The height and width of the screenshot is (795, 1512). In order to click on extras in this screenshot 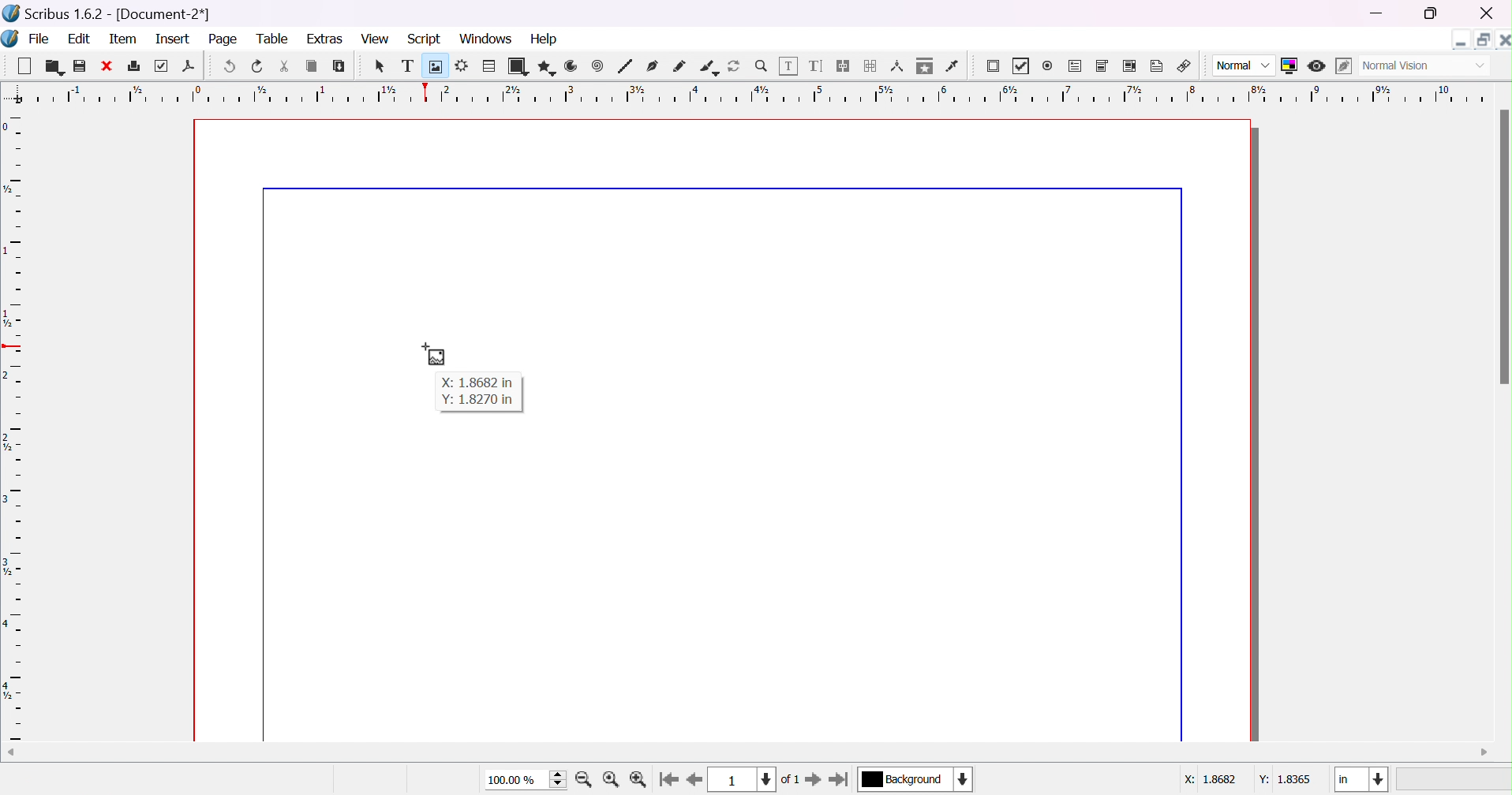, I will do `click(325, 39)`.